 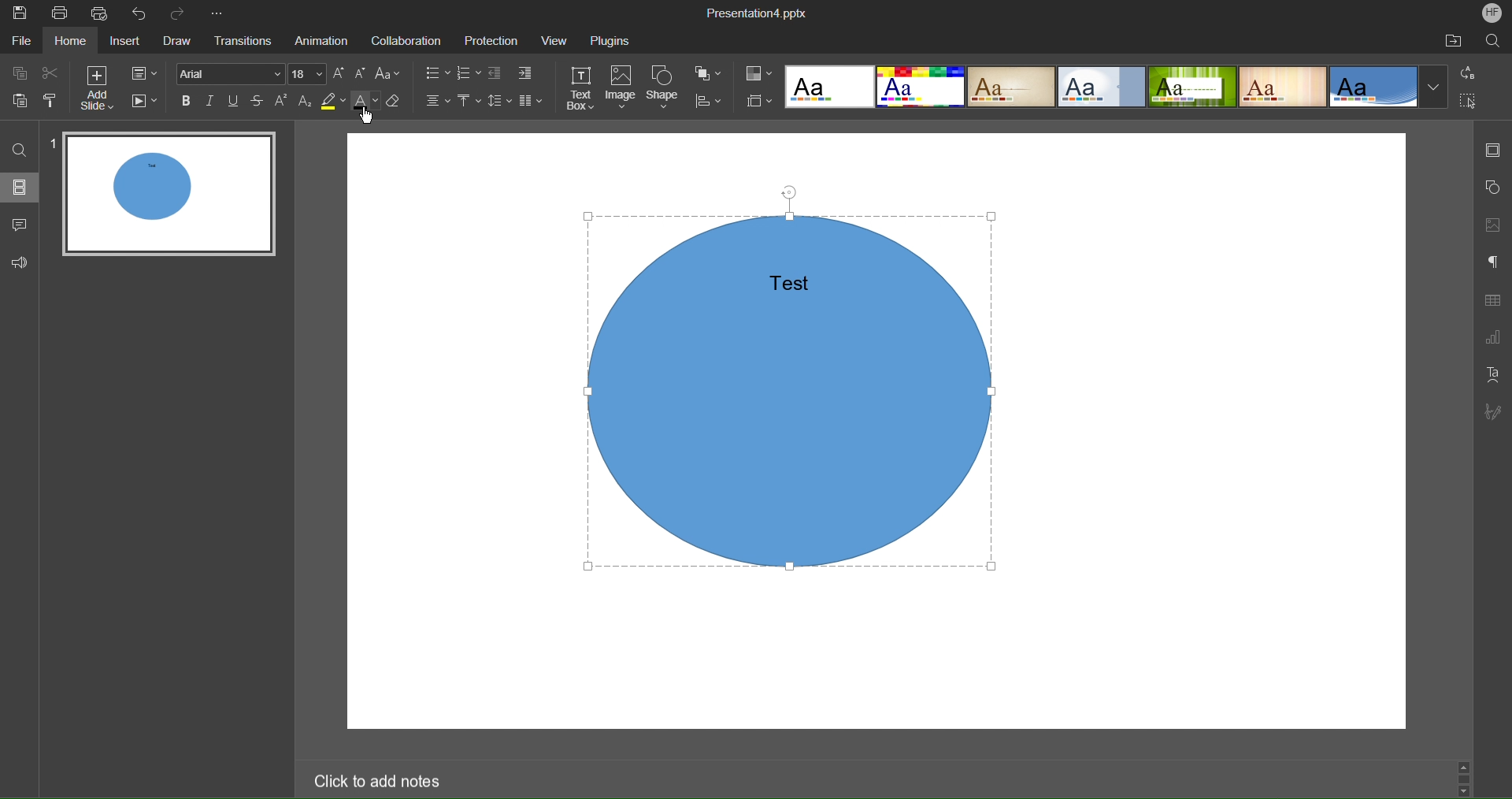 What do you see at coordinates (309, 73) in the screenshot?
I see `Font size` at bounding box center [309, 73].